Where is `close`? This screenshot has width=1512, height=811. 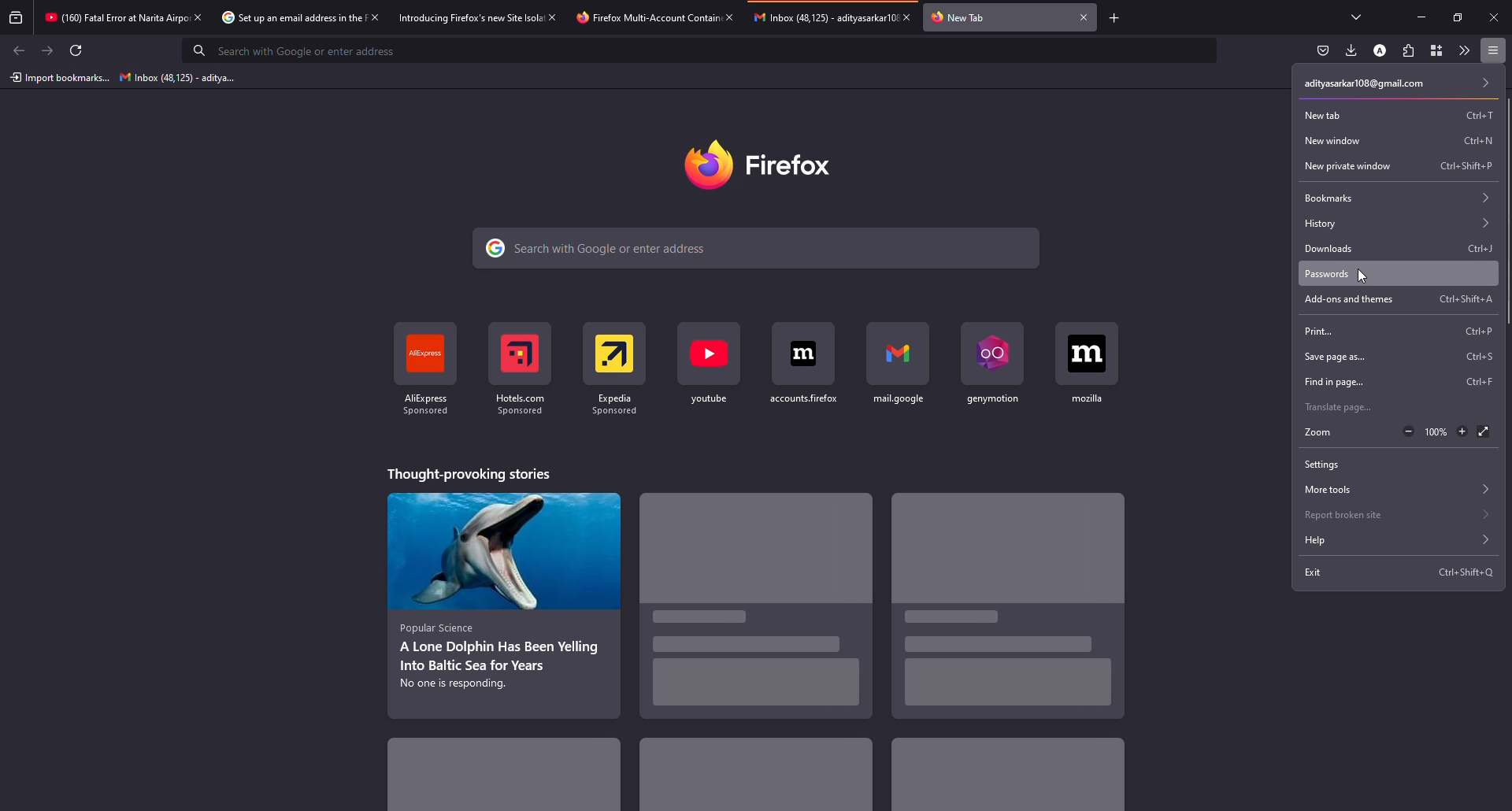 close is located at coordinates (1084, 17).